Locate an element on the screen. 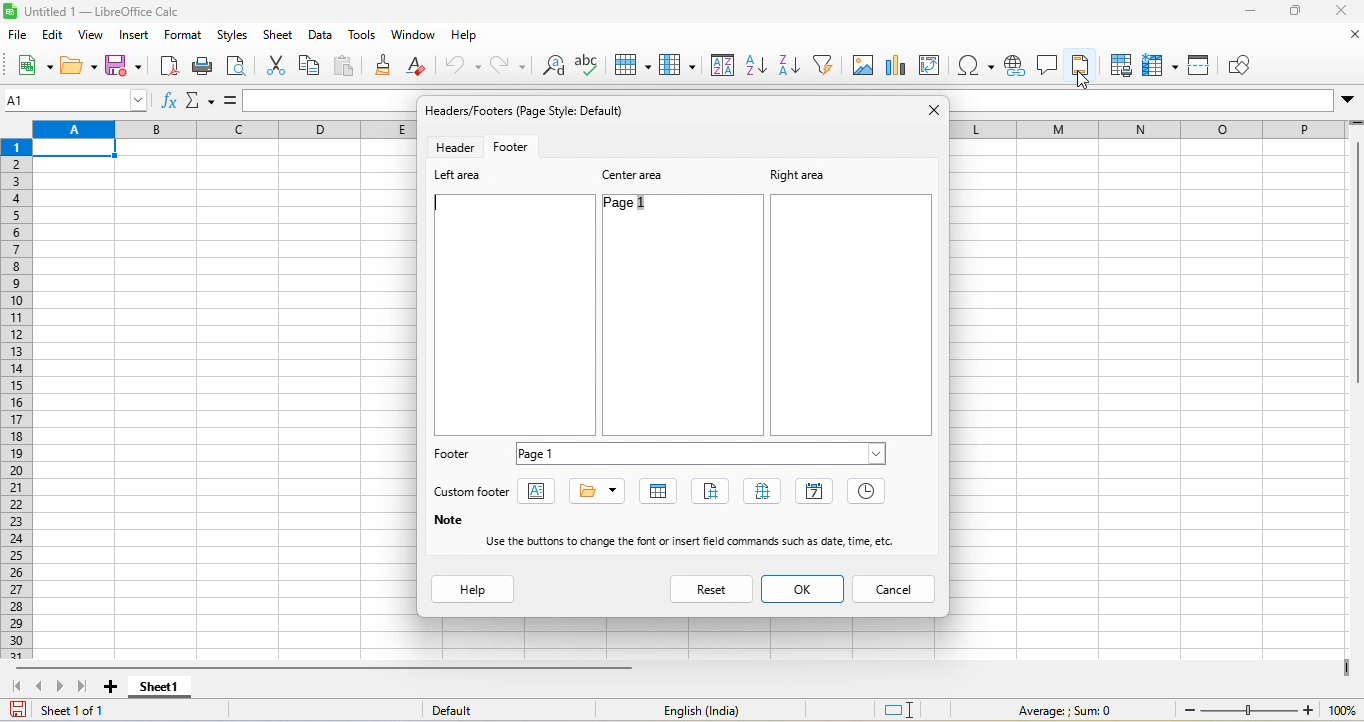  chart is located at coordinates (901, 64).